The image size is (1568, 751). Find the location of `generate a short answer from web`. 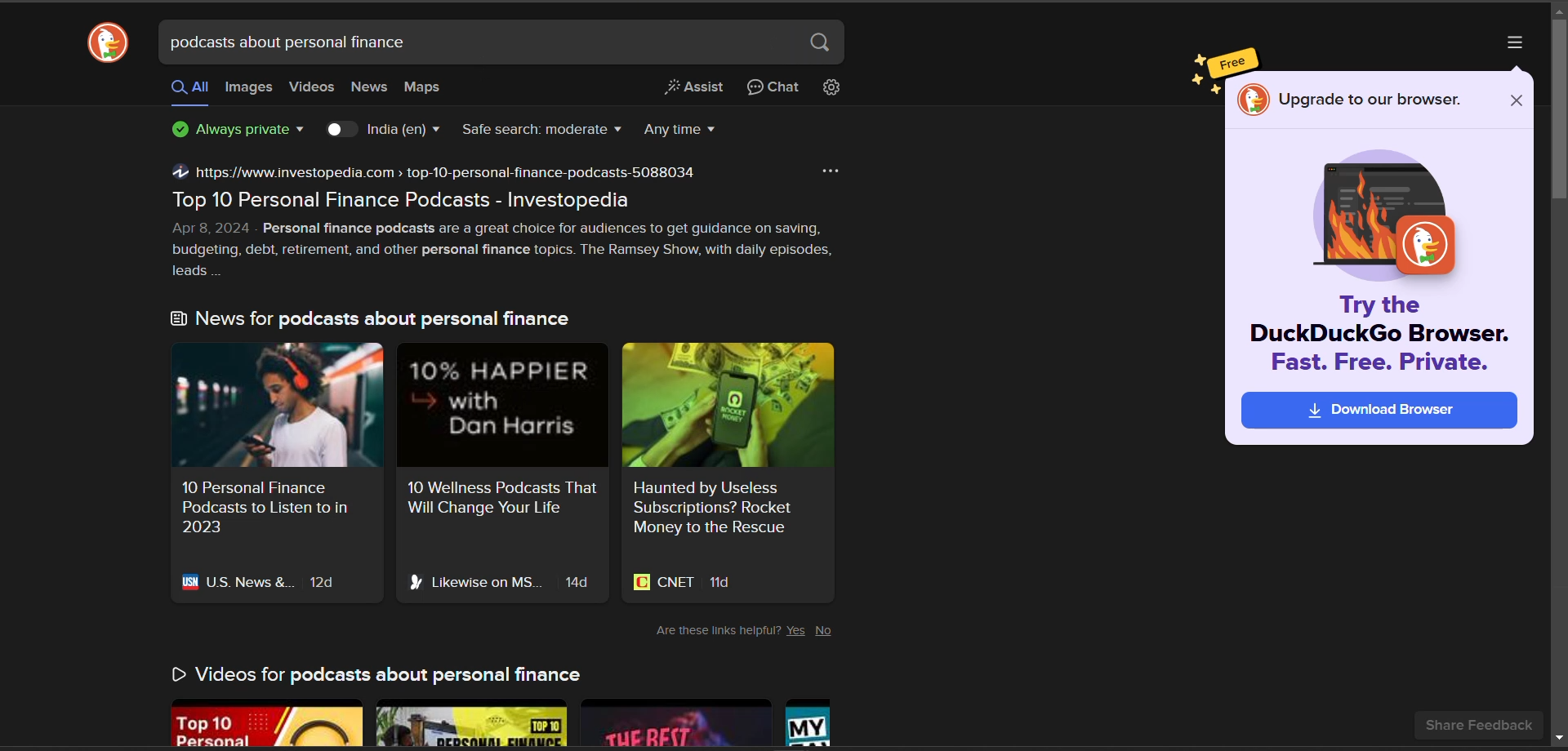

generate a short answer from web is located at coordinates (699, 88).